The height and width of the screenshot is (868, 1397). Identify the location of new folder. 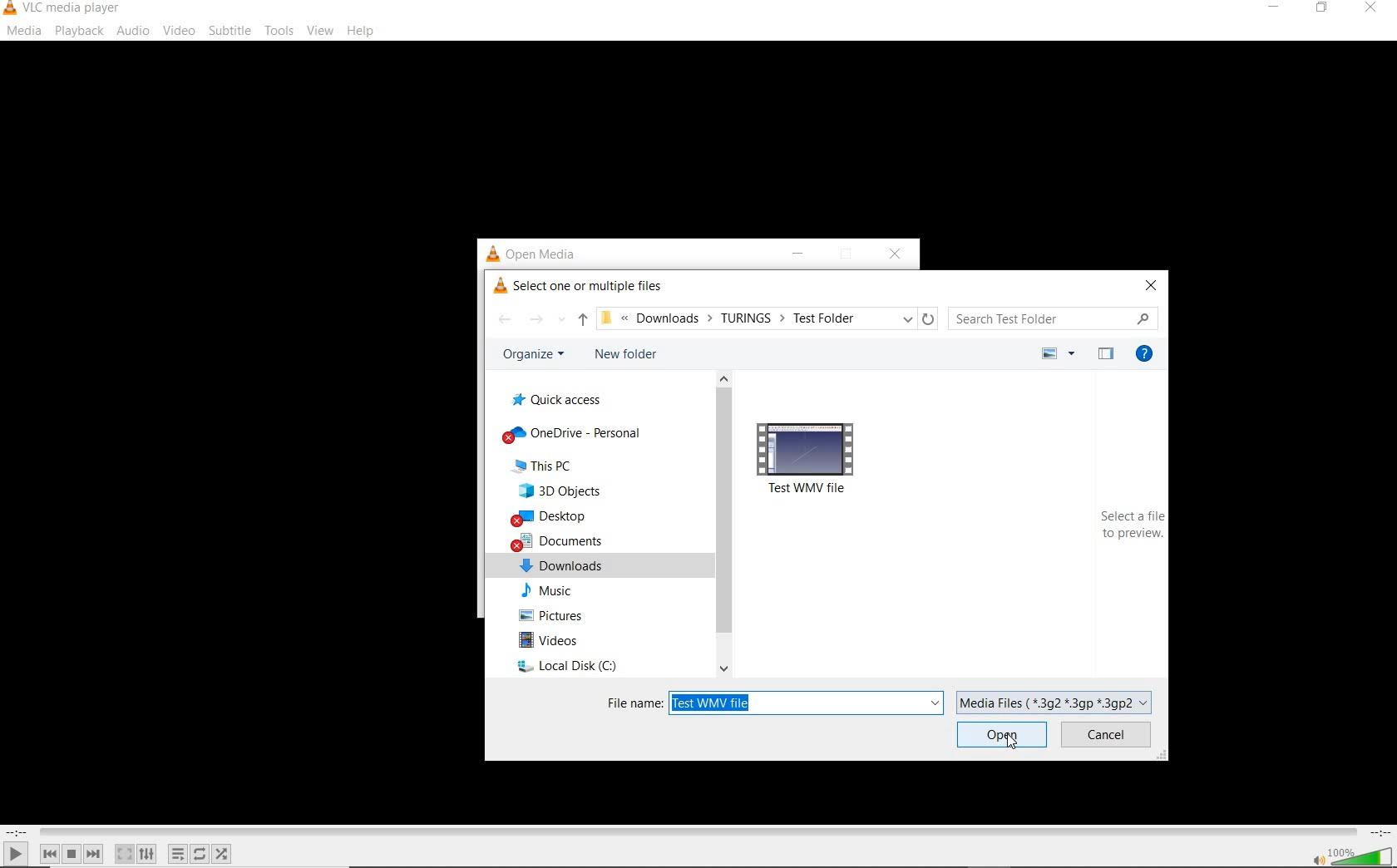
(628, 357).